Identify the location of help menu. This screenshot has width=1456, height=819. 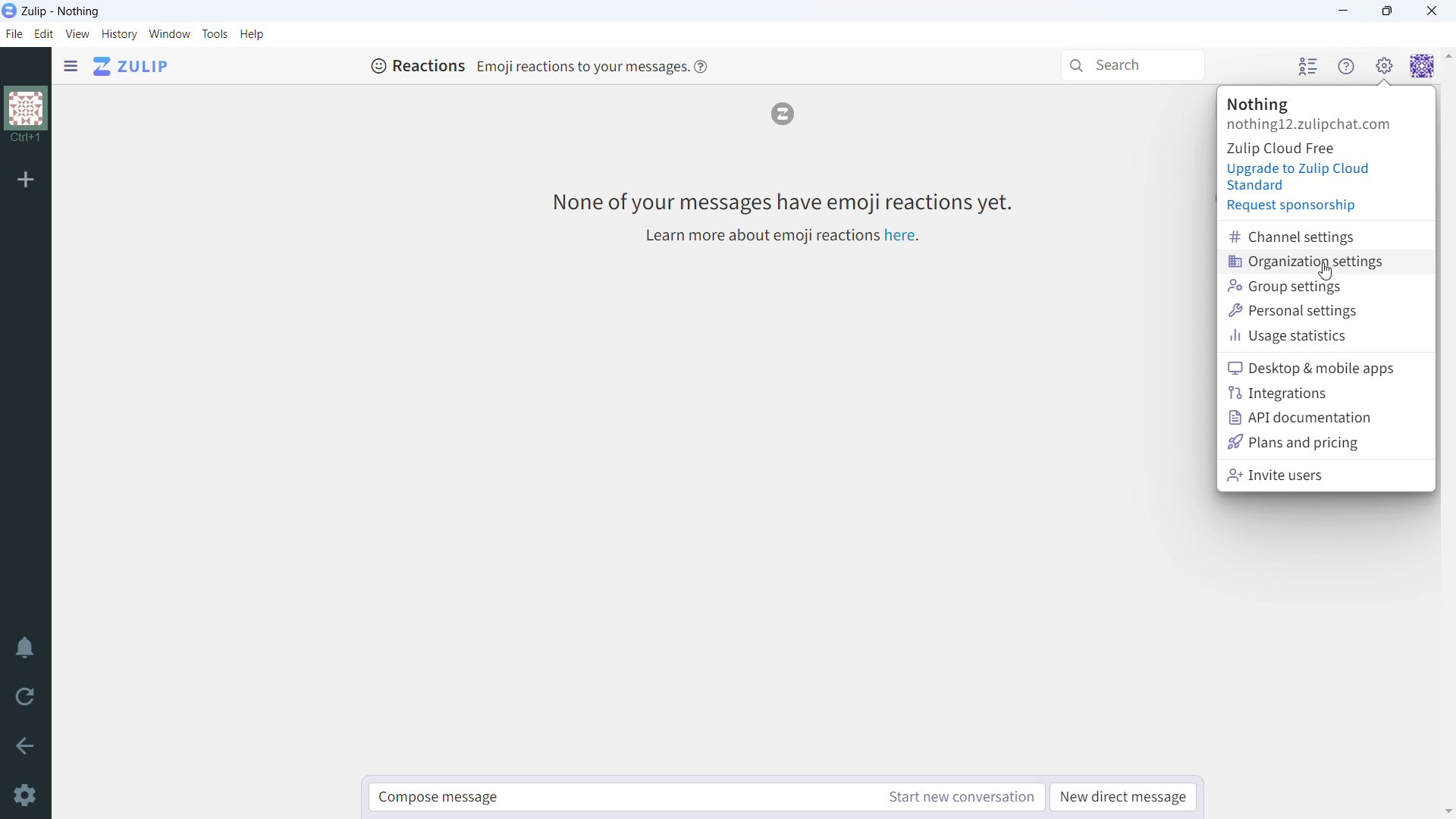
(1346, 66).